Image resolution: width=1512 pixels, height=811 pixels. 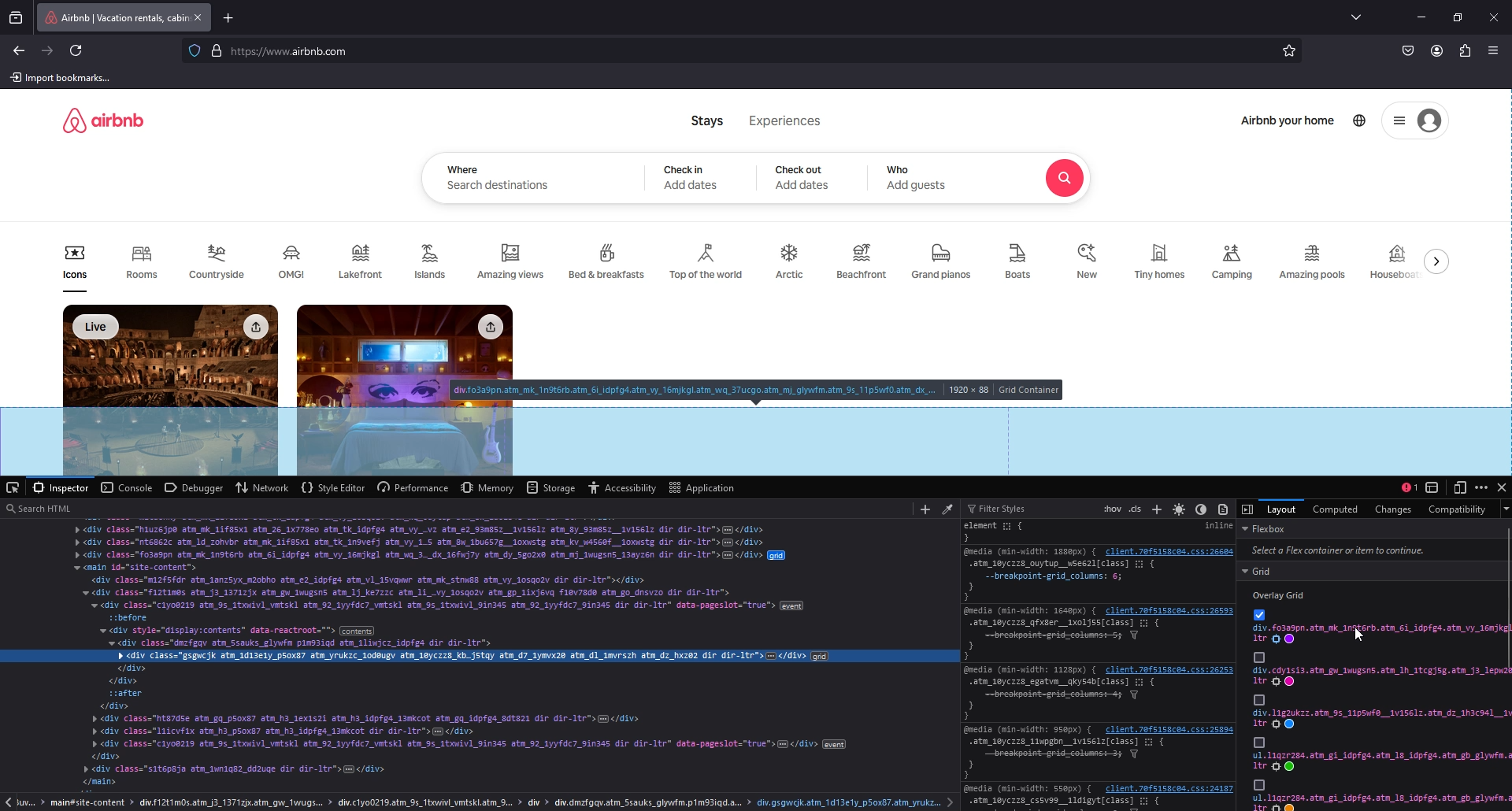 What do you see at coordinates (946, 508) in the screenshot?
I see `grab a color from page` at bounding box center [946, 508].